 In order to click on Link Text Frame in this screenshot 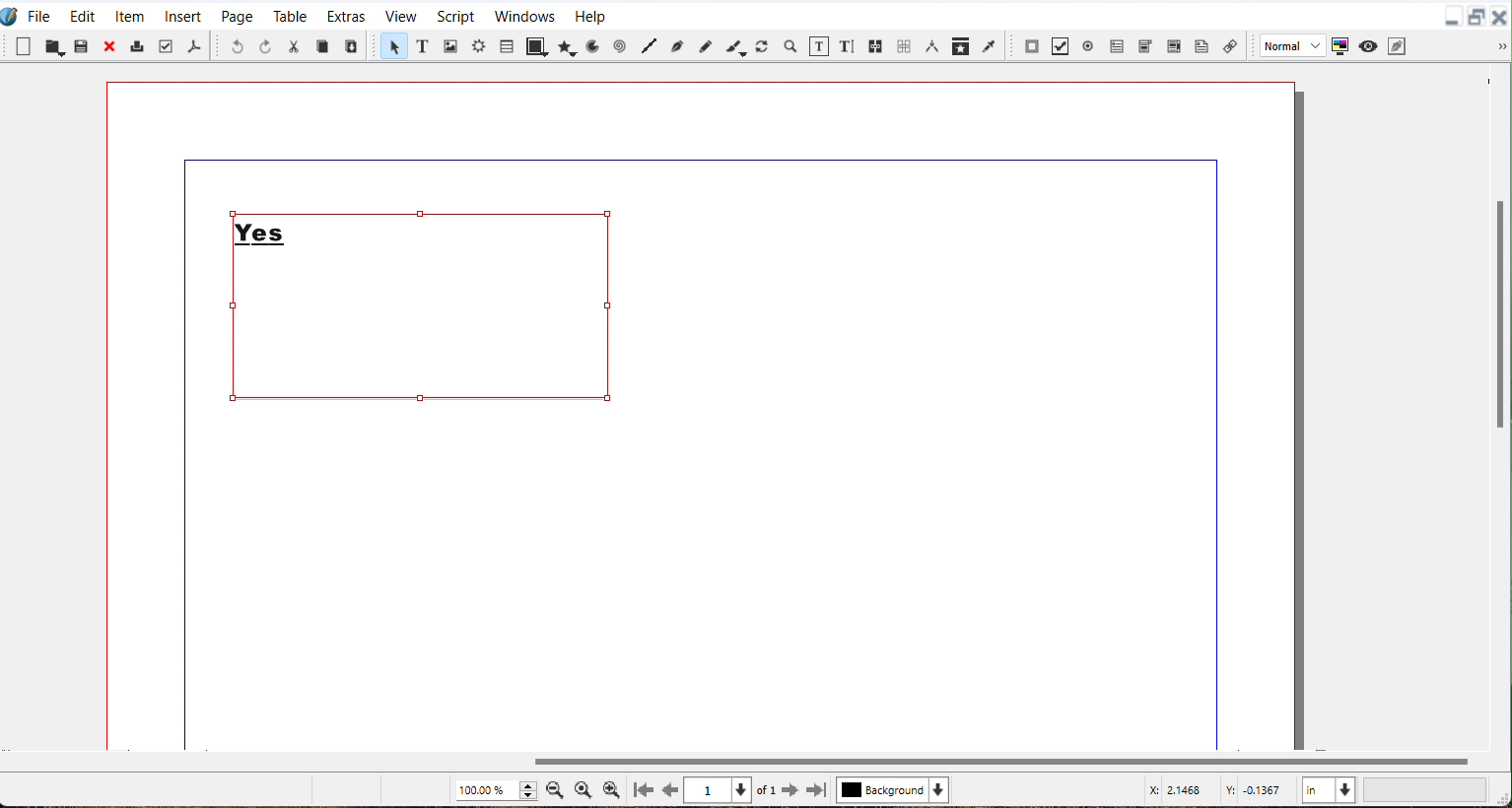, I will do `click(877, 44)`.